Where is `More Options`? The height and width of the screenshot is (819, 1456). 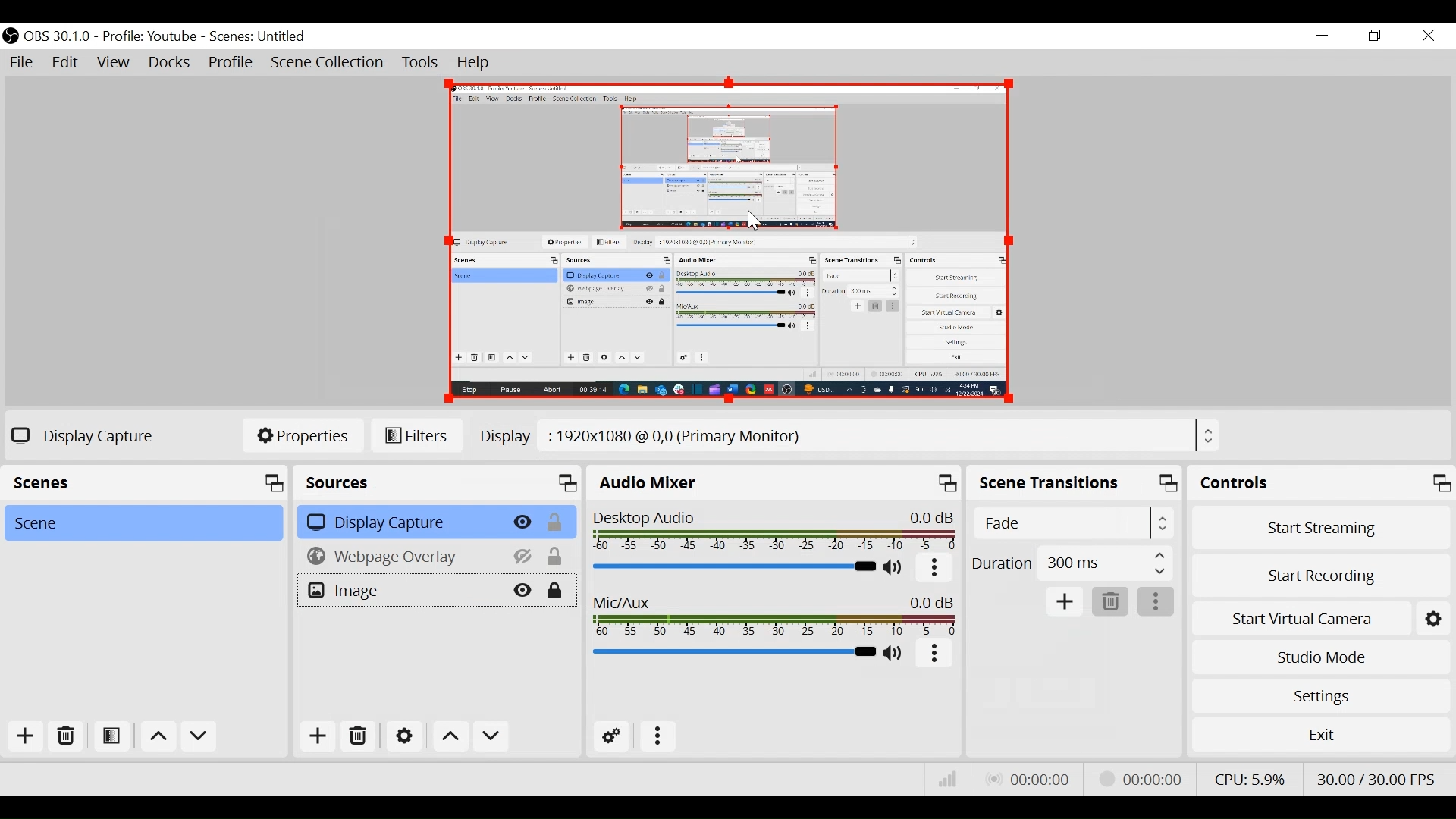 More Options is located at coordinates (657, 739).